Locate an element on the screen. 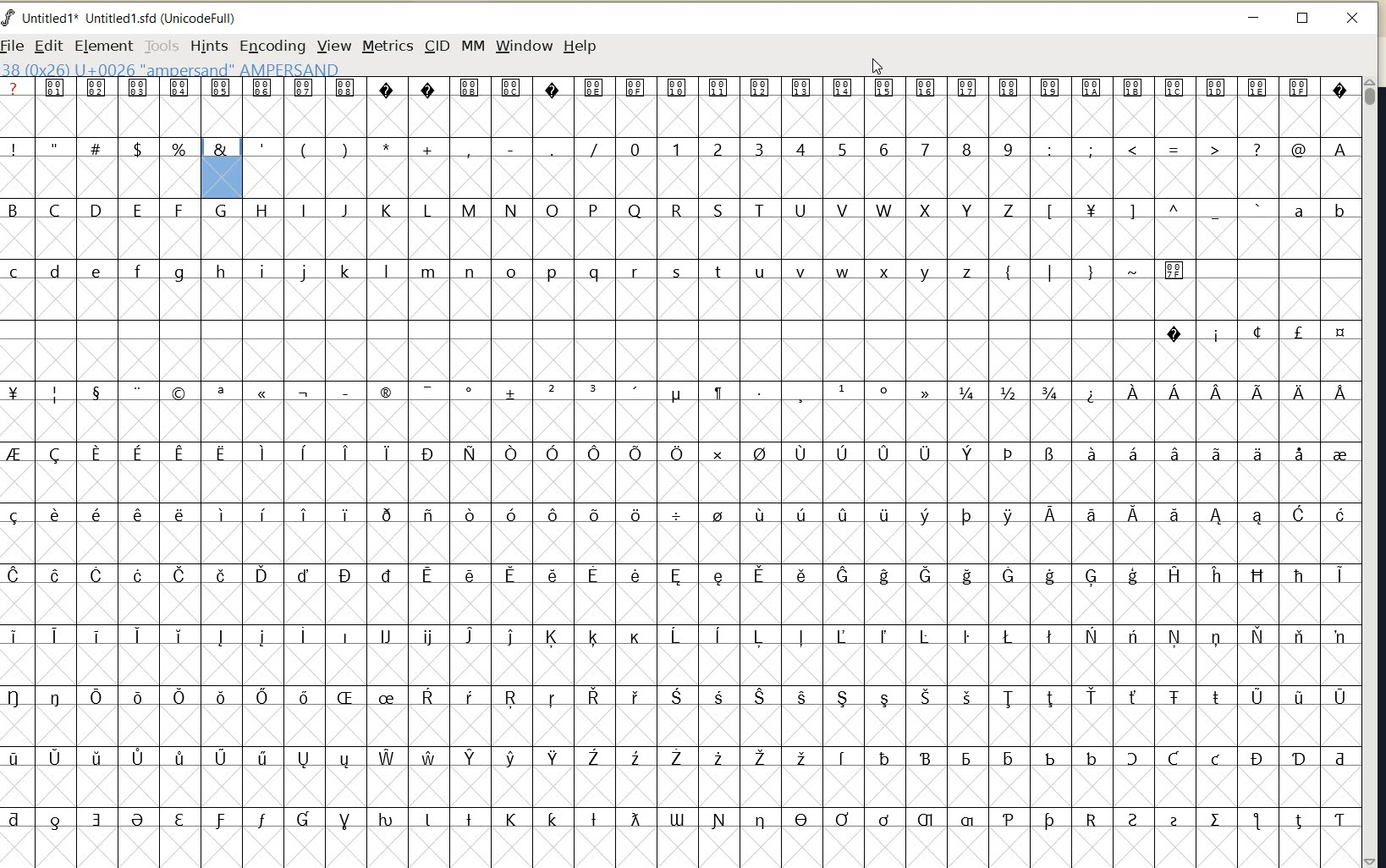 The image size is (1386, 868). FONT NAME is located at coordinates (128, 18).